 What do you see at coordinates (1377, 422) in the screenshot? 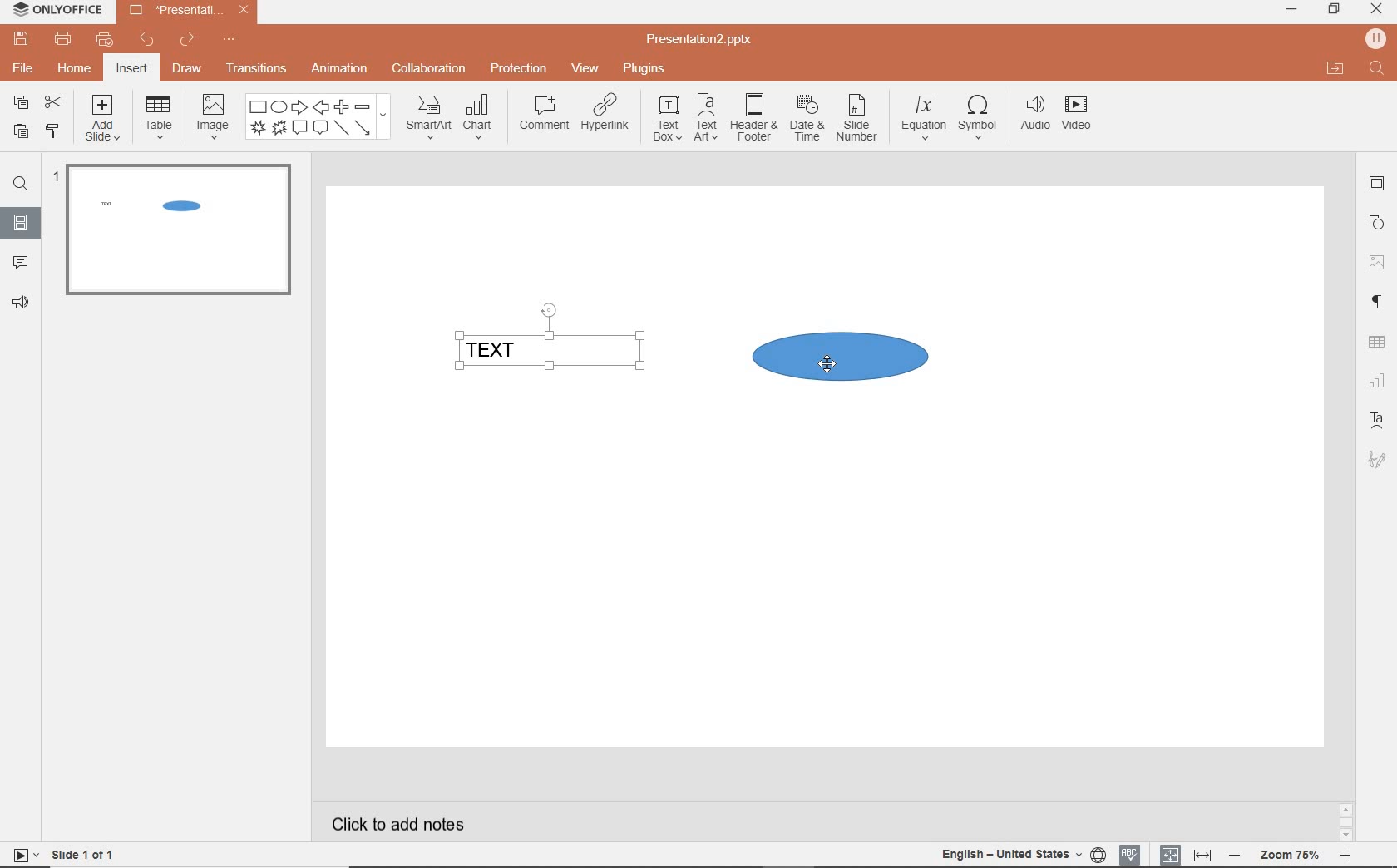
I see `TEXT ART` at bounding box center [1377, 422].